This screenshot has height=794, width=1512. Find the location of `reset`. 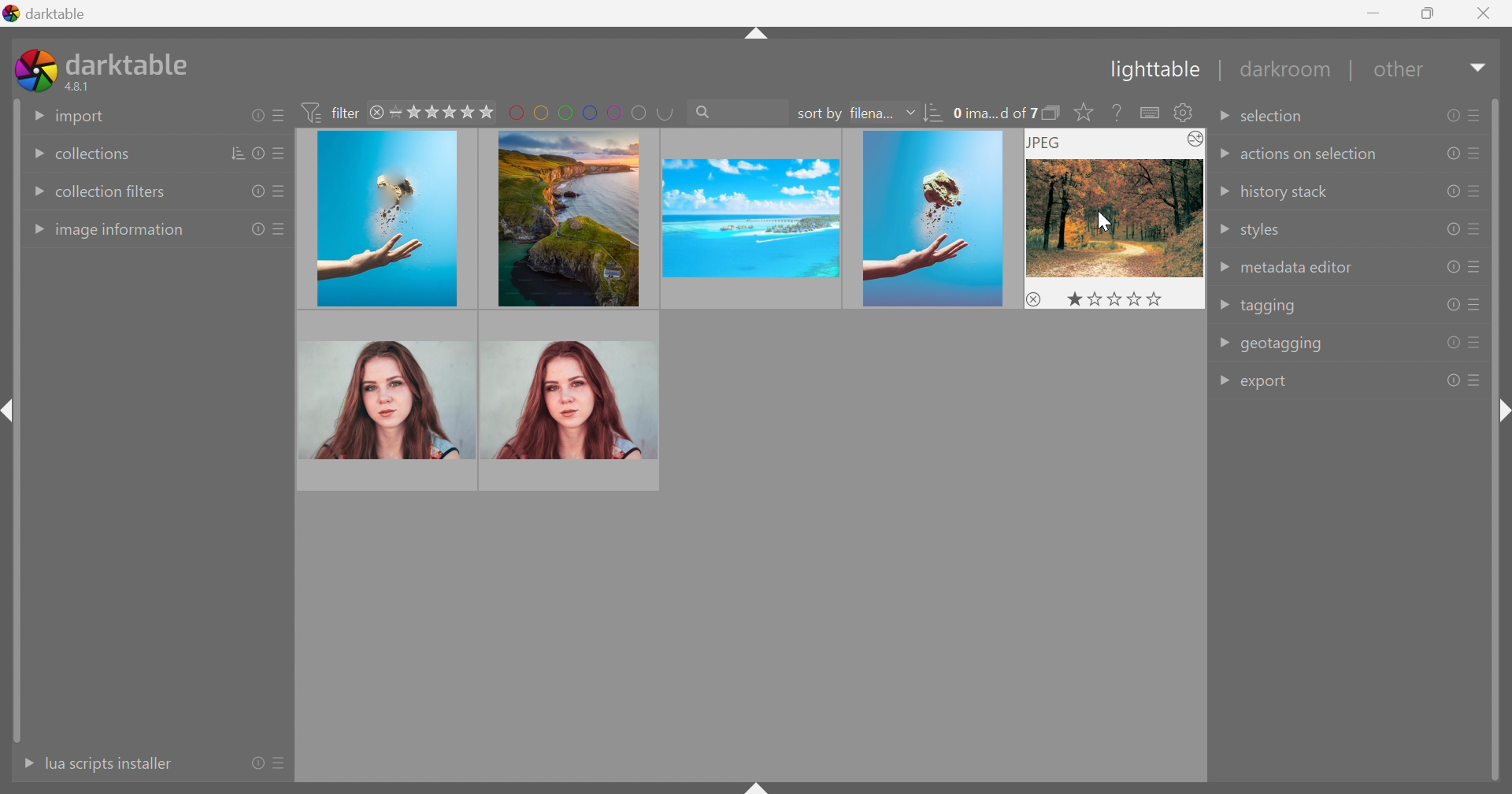

reset is located at coordinates (1454, 267).